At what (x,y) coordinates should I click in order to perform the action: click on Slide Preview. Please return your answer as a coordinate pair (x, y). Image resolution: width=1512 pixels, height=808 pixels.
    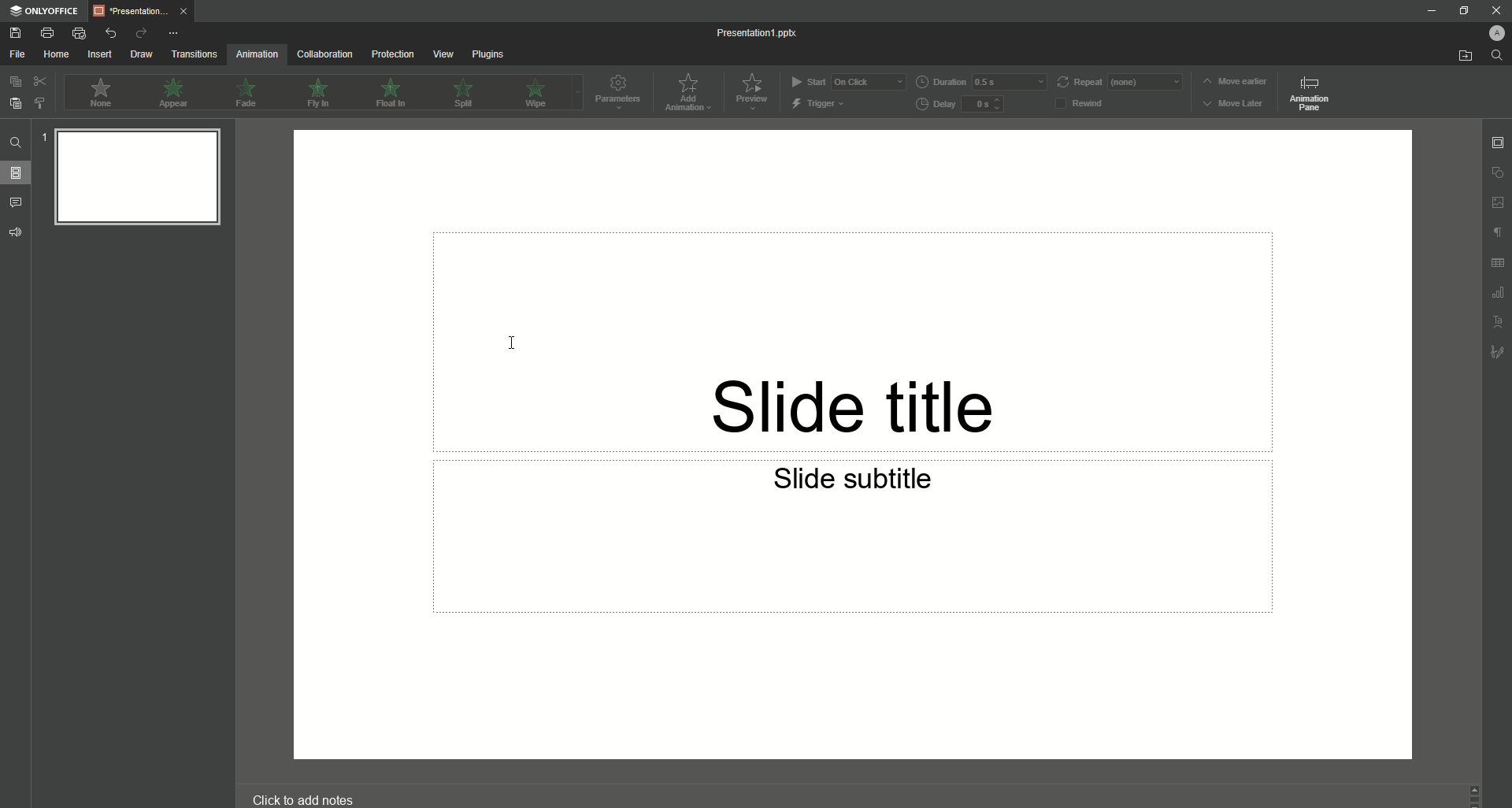
    Looking at the image, I should click on (133, 182).